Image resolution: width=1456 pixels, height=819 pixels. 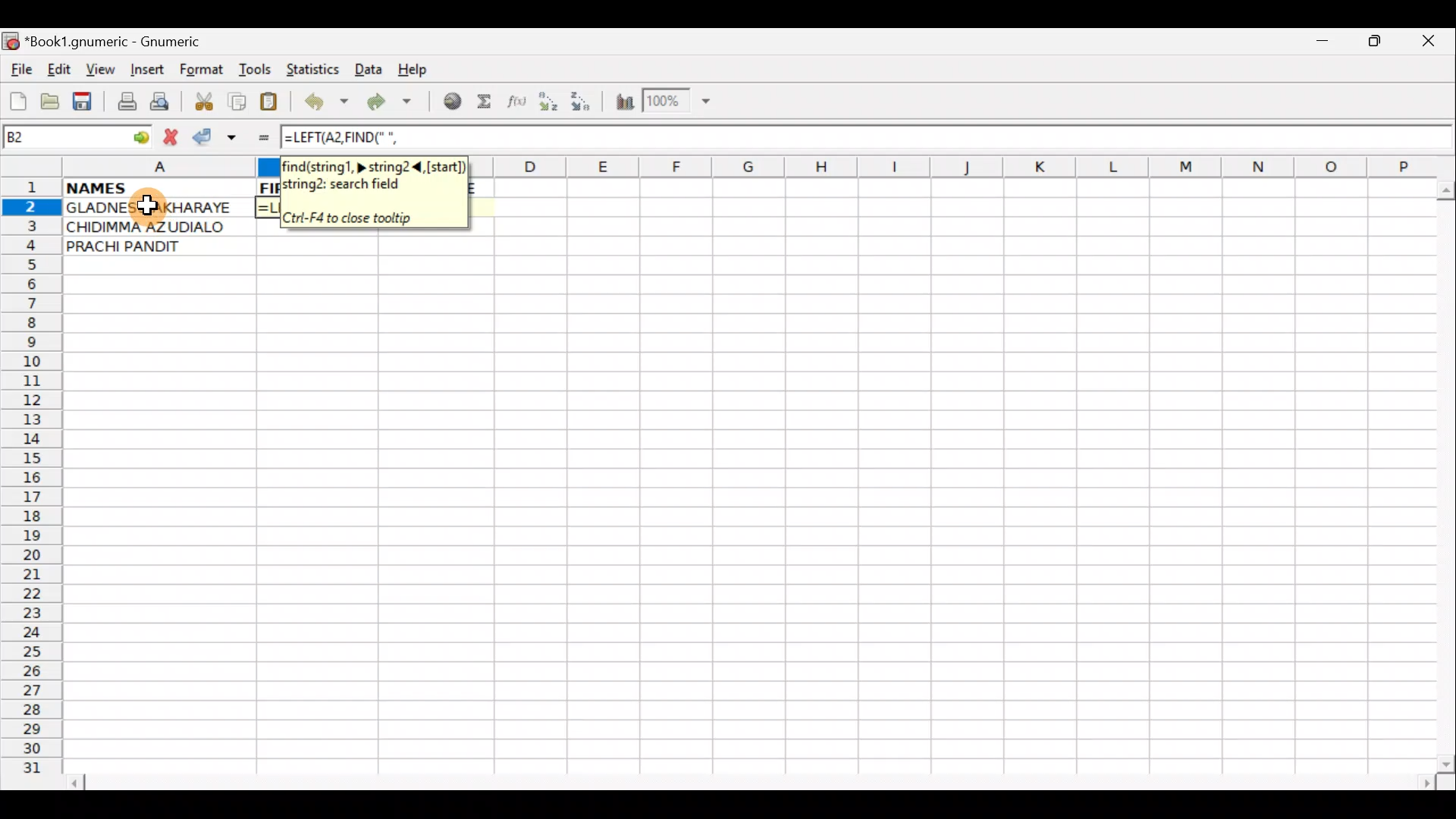 I want to click on Rows, so click(x=32, y=482).